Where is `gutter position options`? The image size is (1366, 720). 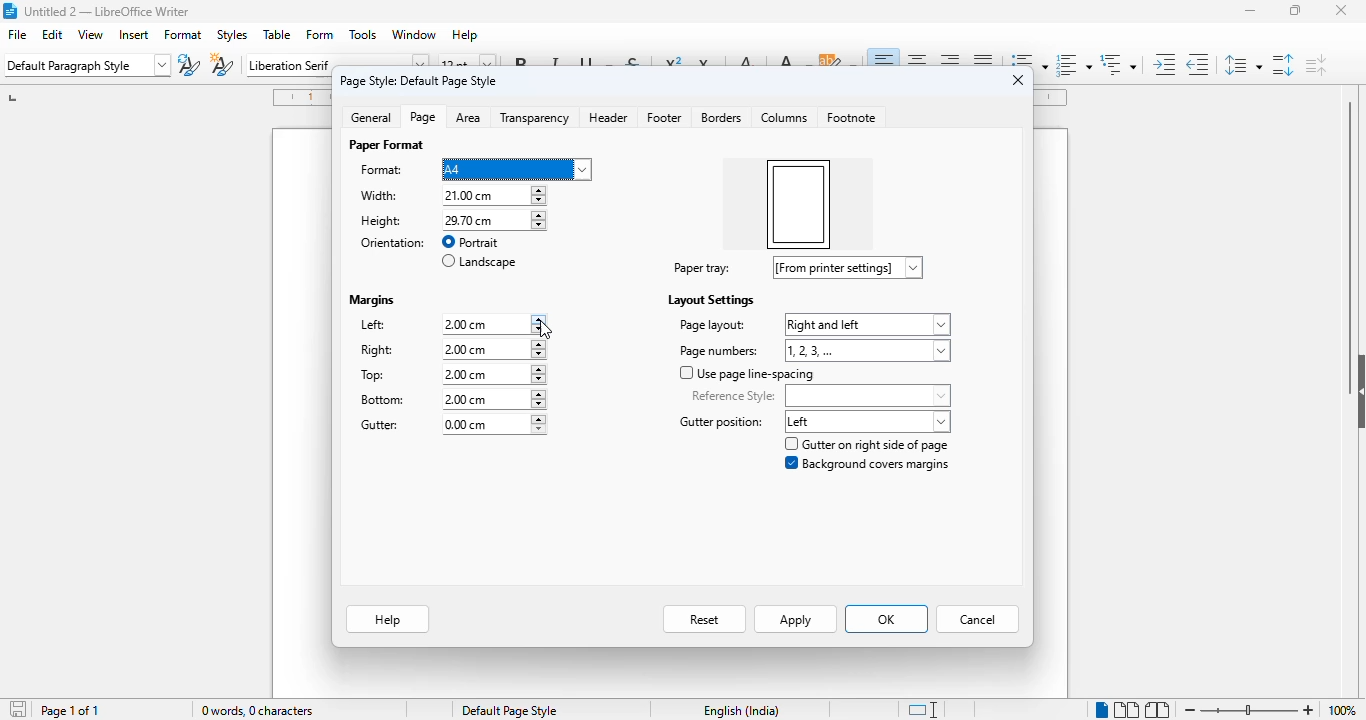 gutter position options is located at coordinates (866, 422).